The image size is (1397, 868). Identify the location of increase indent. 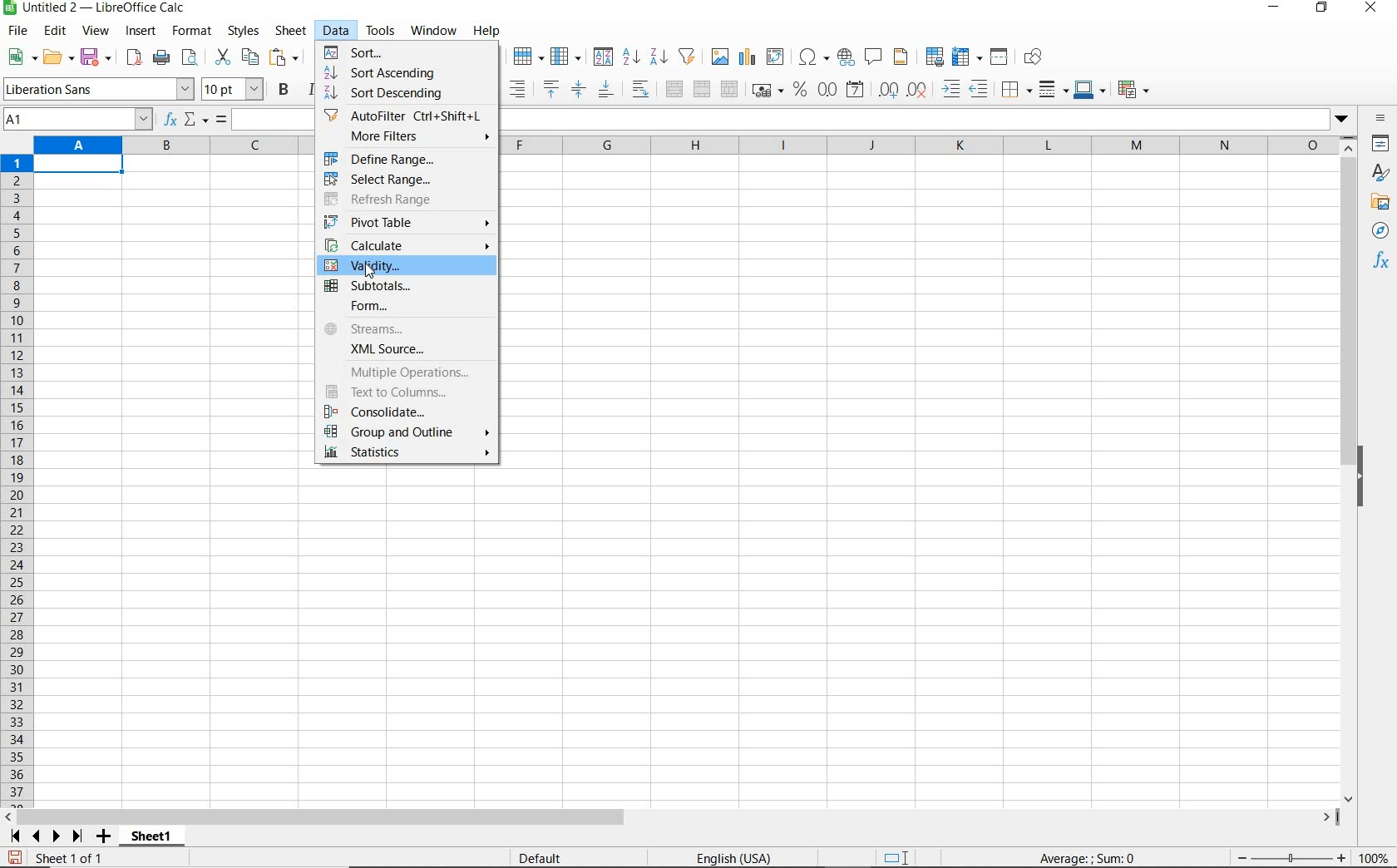
(952, 89).